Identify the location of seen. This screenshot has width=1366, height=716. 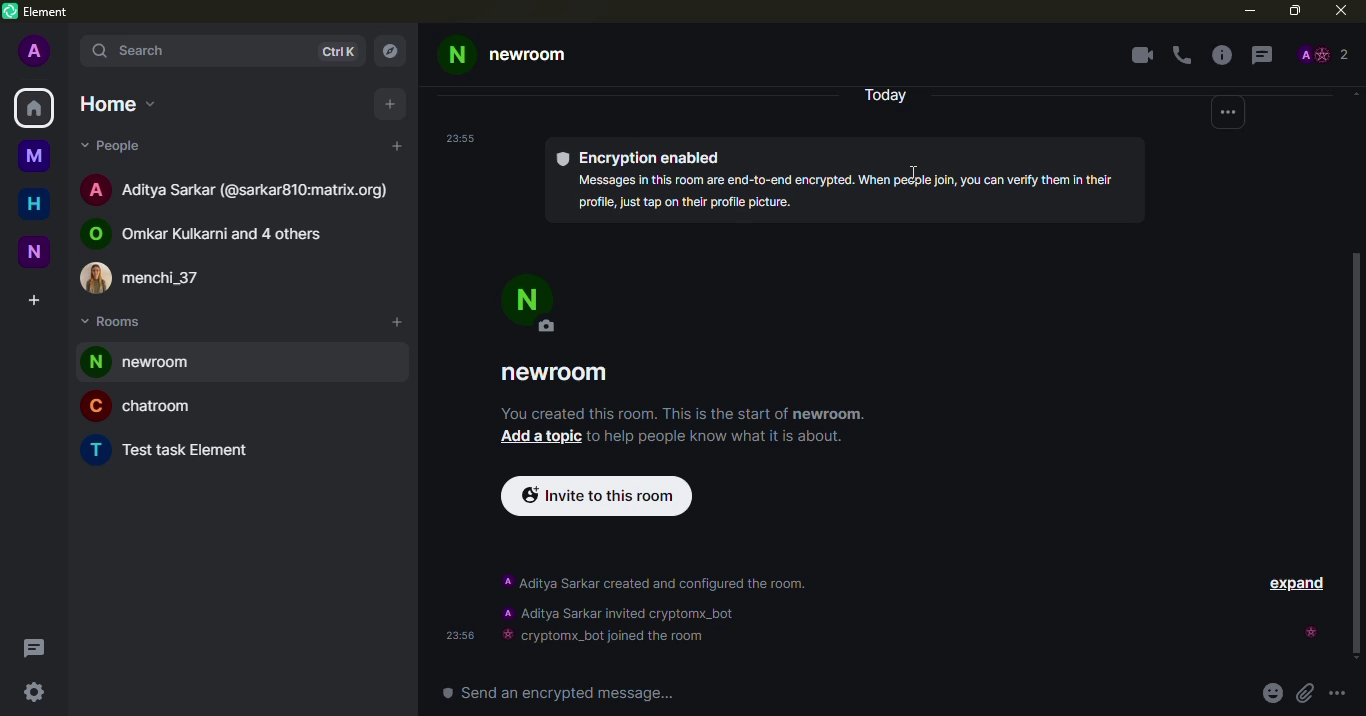
(1309, 634).